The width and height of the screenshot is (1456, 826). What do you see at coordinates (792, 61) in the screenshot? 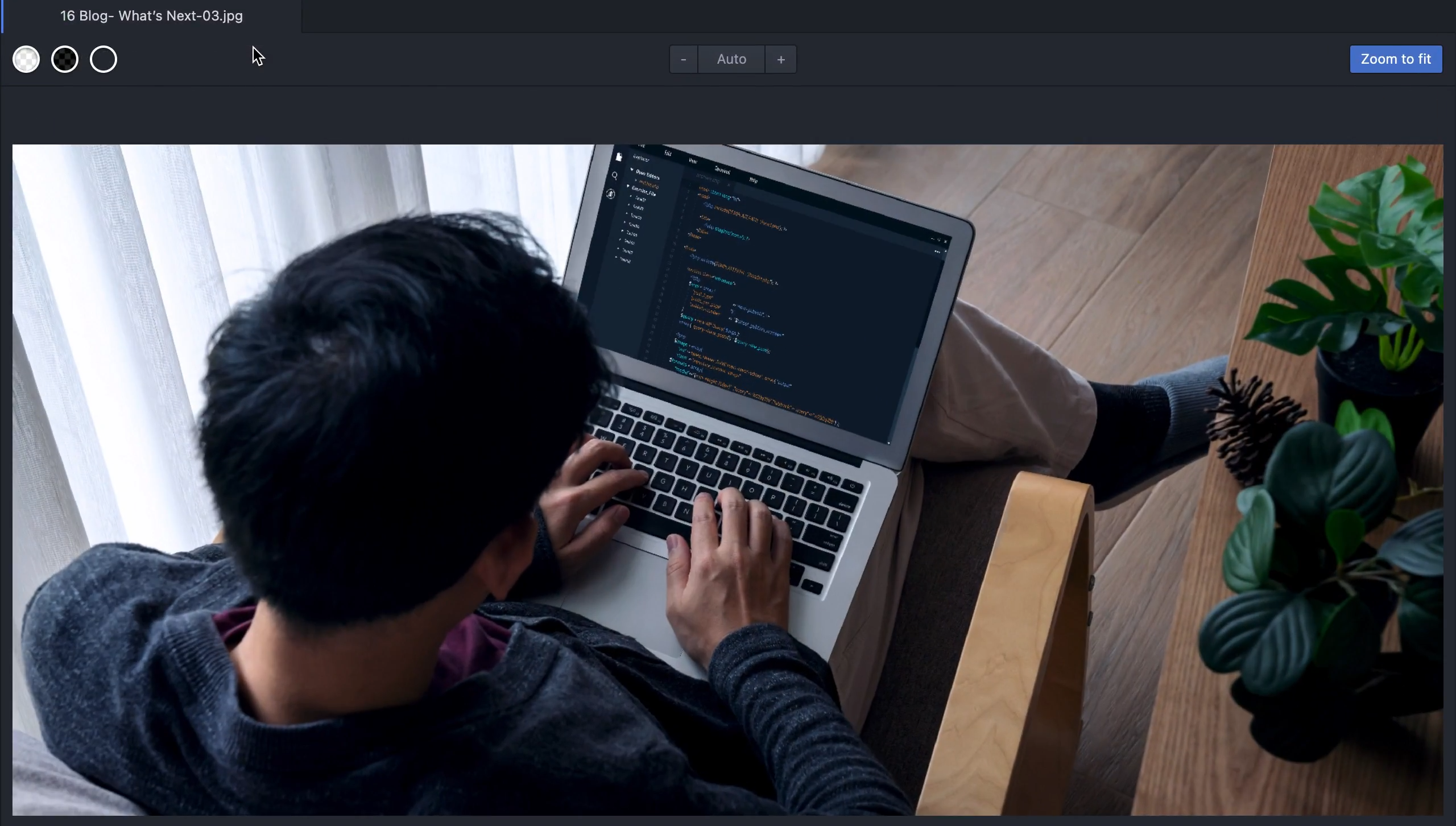
I see `zoom in` at bounding box center [792, 61].